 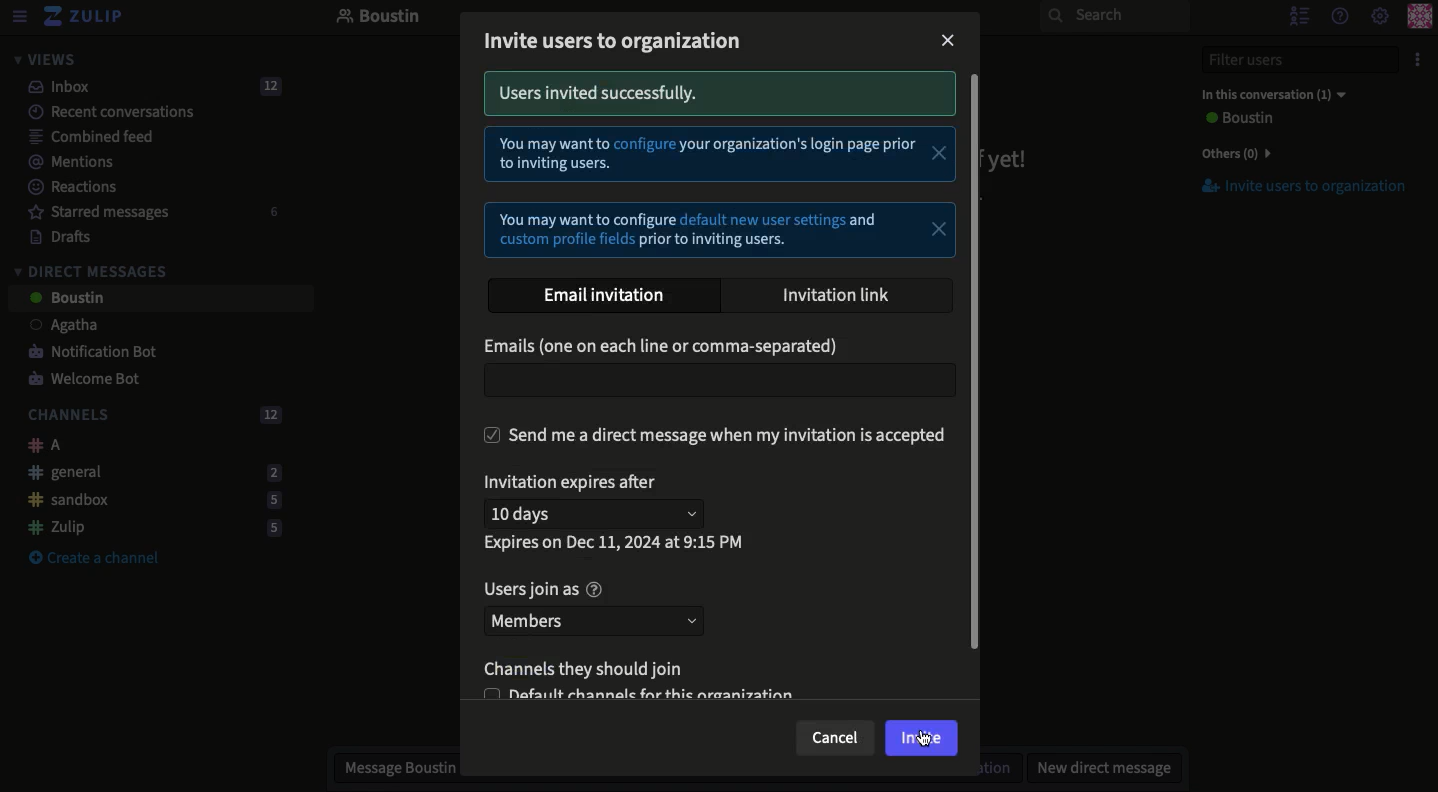 What do you see at coordinates (148, 527) in the screenshot?
I see `Zulip` at bounding box center [148, 527].